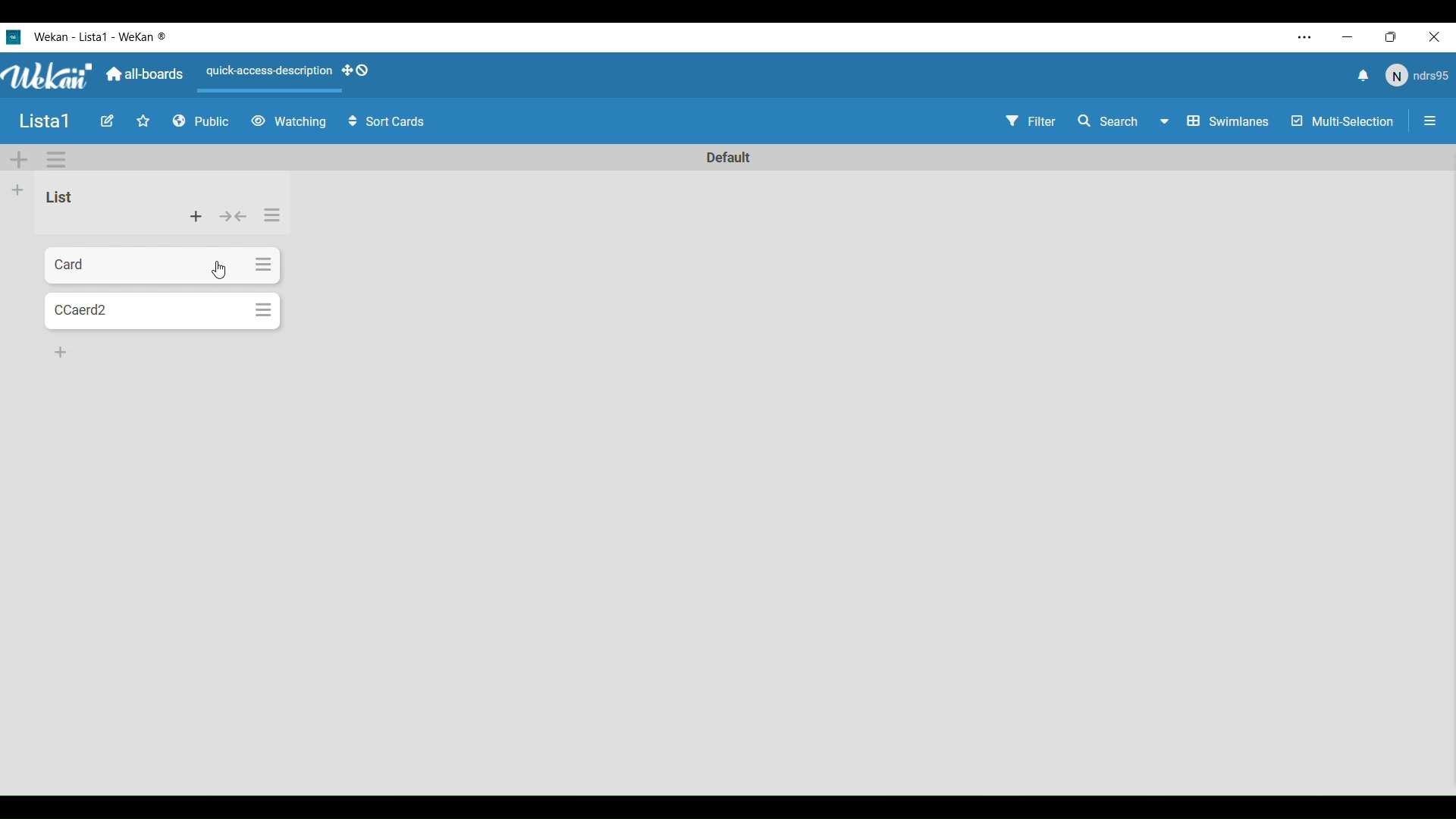  What do you see at coordinates (726, 155) in the screenshot?
I see `Text` at bounding box center [726, 155].